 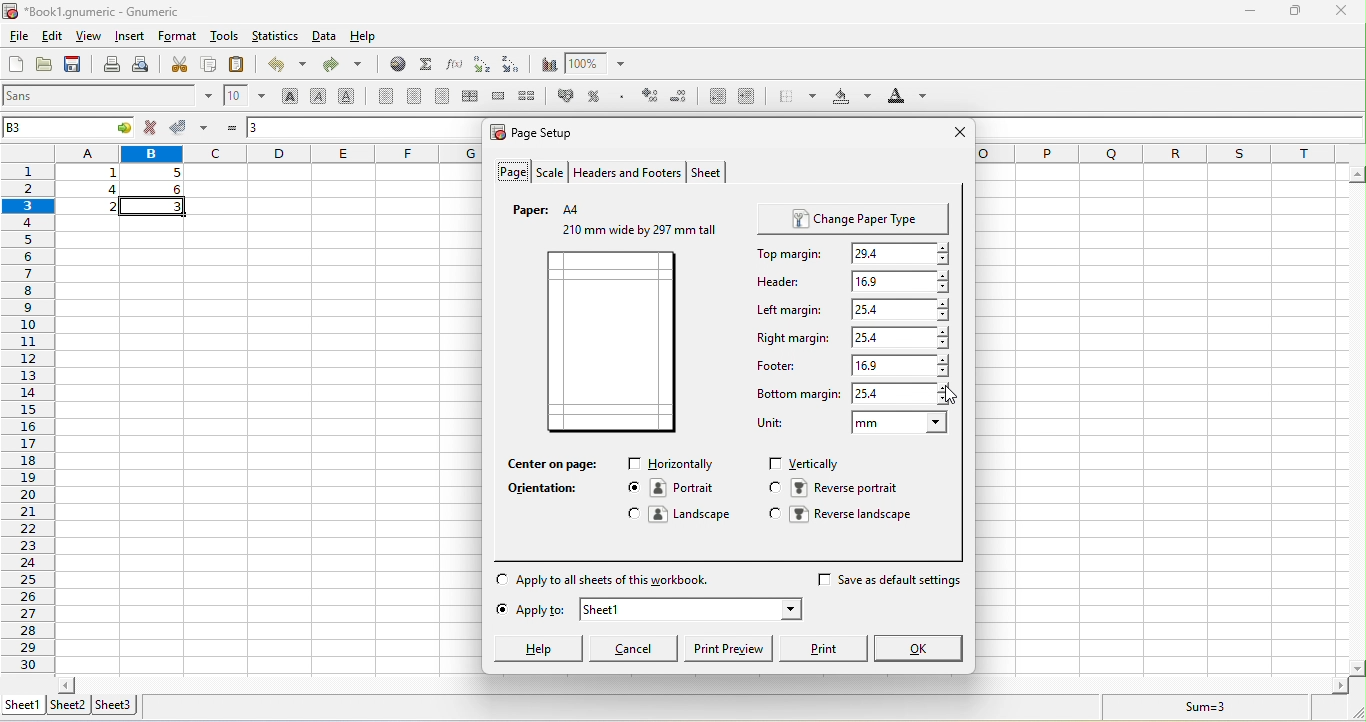 I want to click on 25.4, so click(x=899, y=337).